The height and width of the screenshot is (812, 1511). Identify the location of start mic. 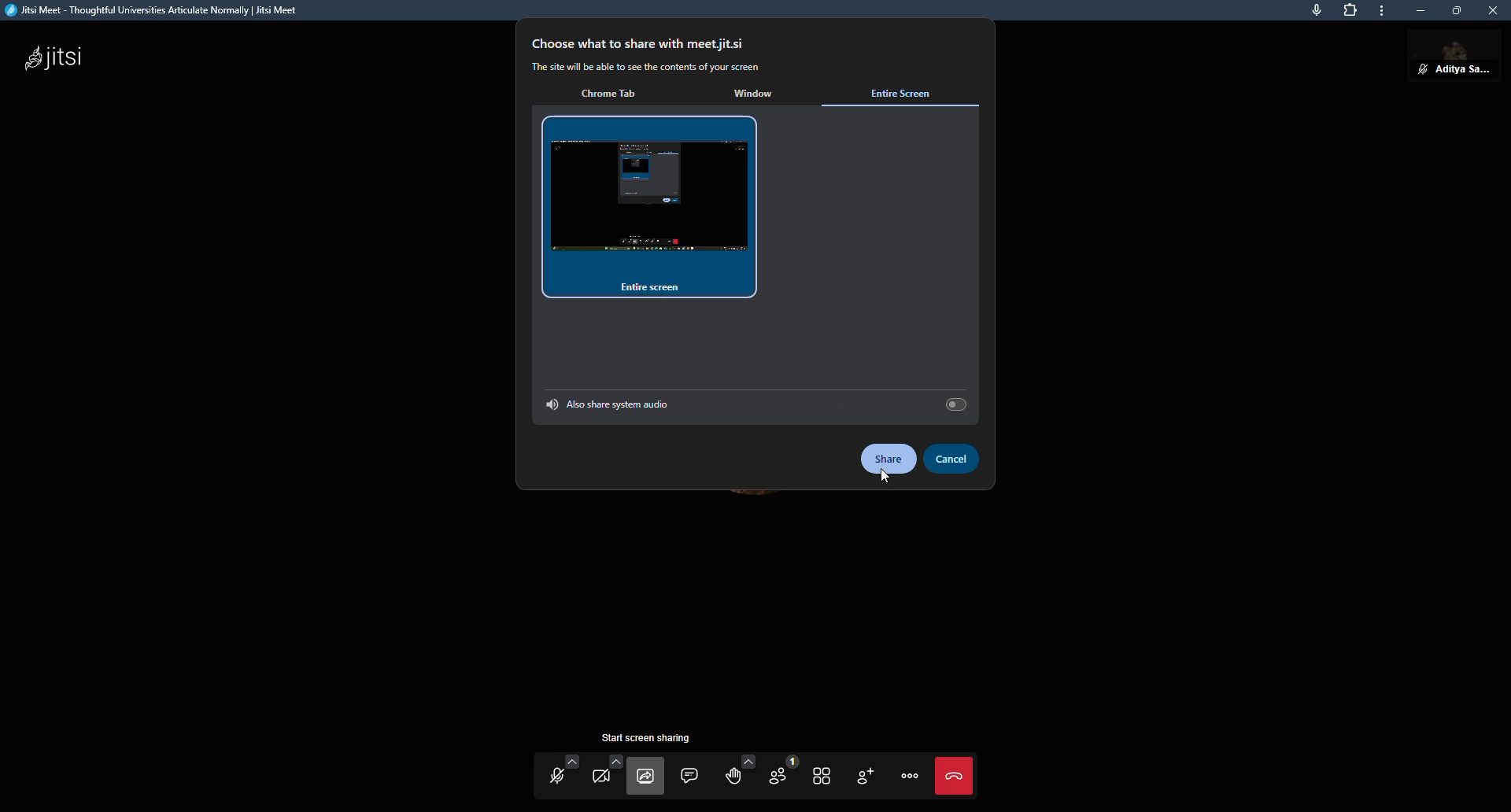
(559, 781).